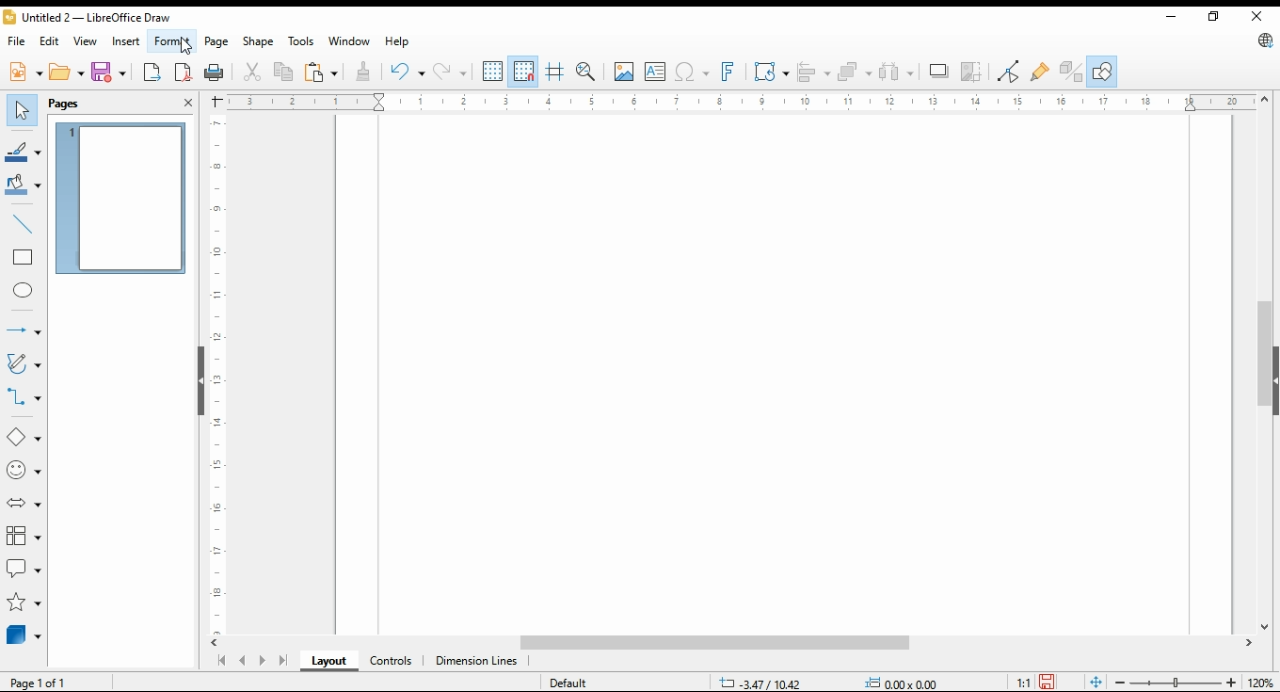 This screenshot has height=692, width=1280. Describe the element at coordinates (587, 72) in the screenshot. I see `pan and zoom` at that location.